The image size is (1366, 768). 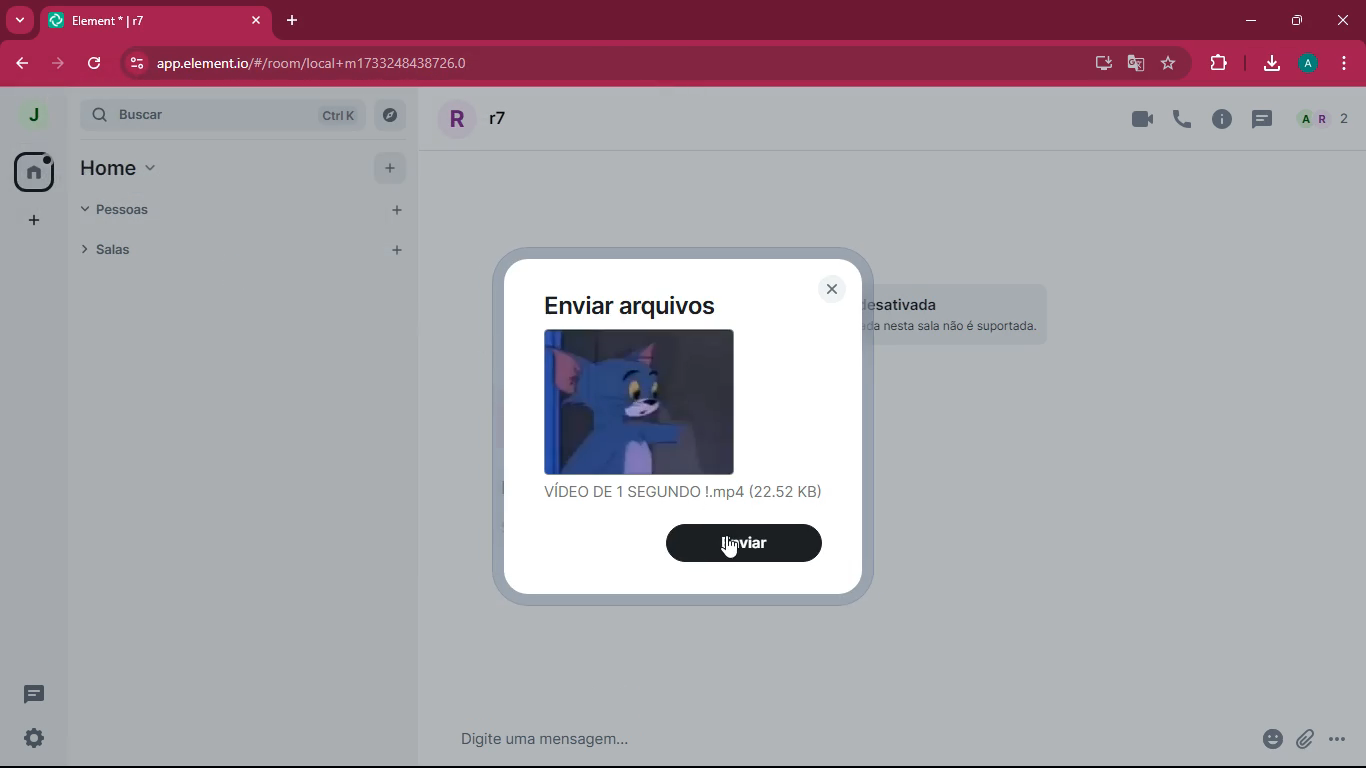 I want to click on profile picture, so click(x=35, y=117).